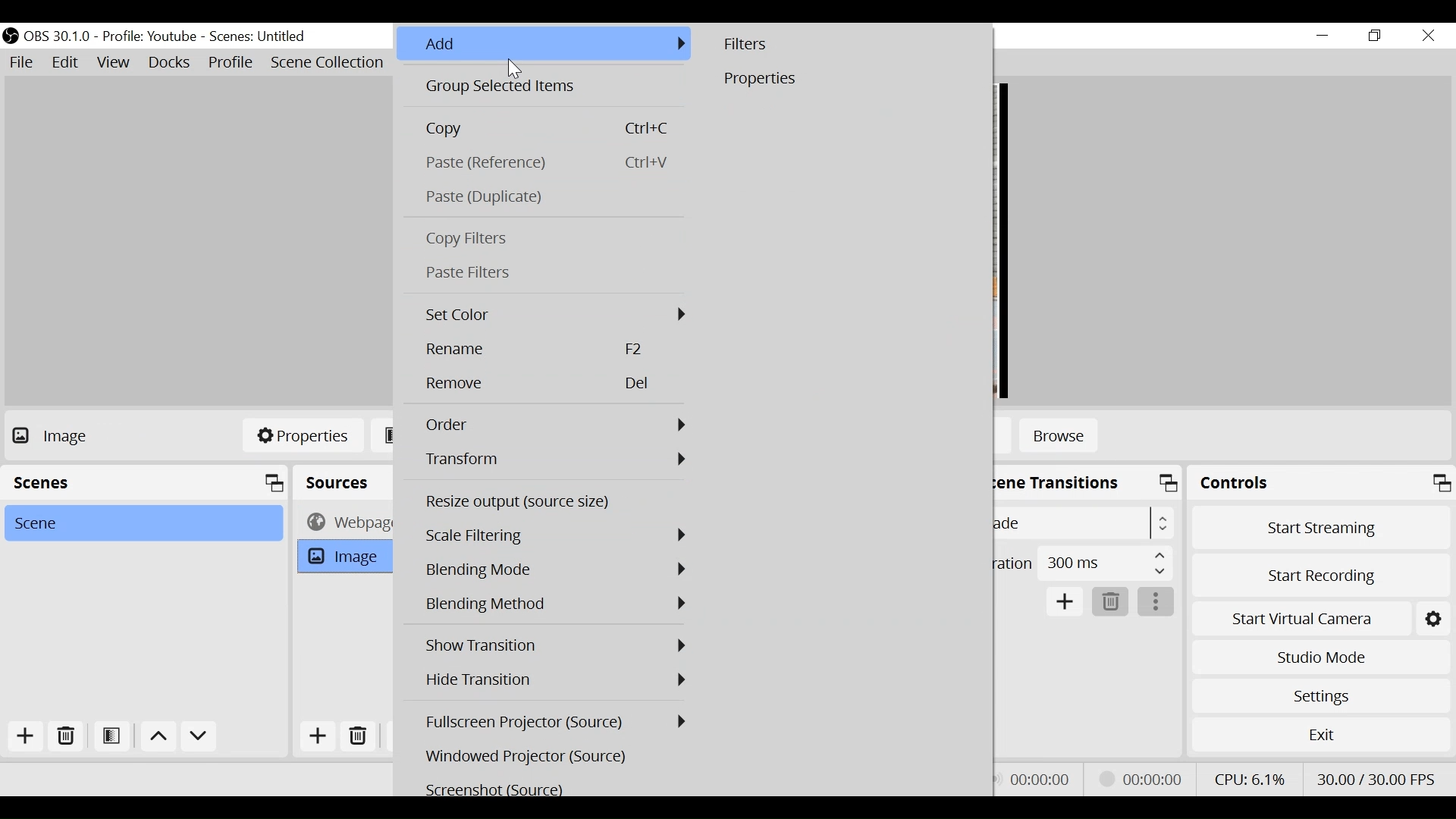  Describe the element at coordinates (149, 37) in the screenshot. I see `Profile` at that location.